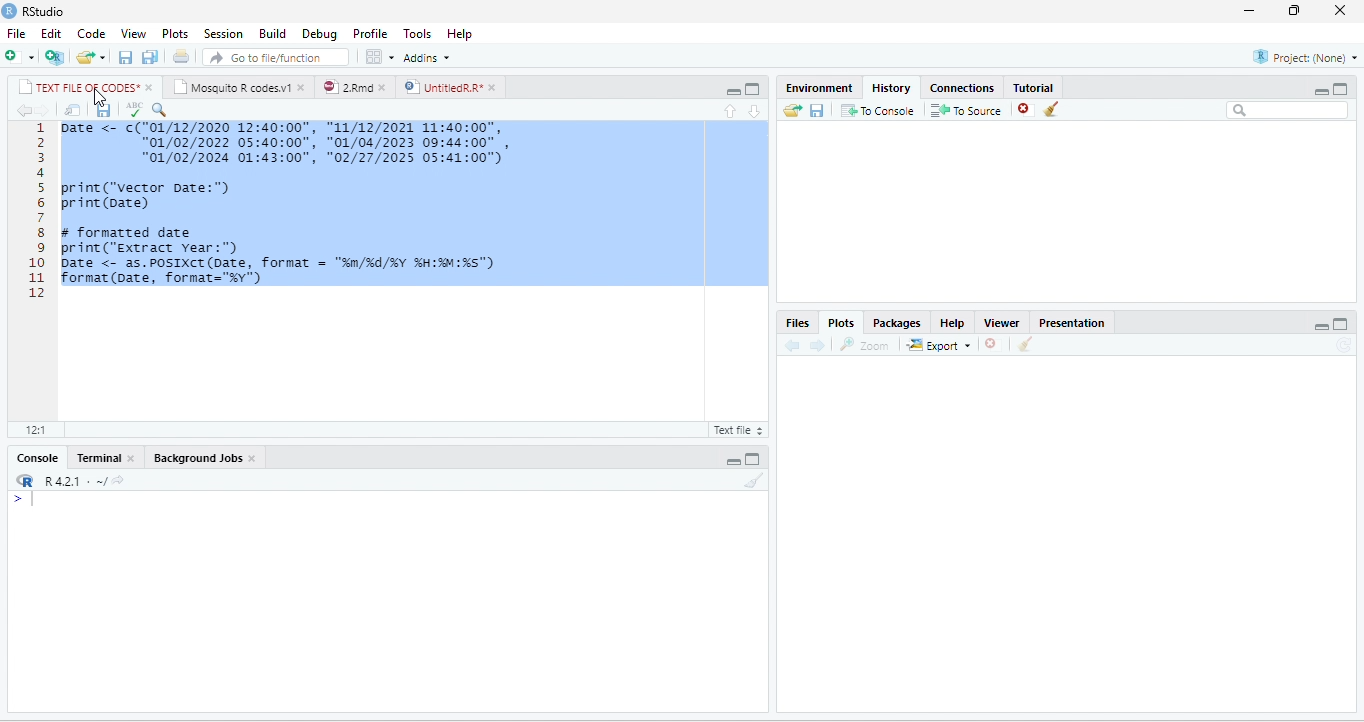  I want to click on logo, so click(10, 11).